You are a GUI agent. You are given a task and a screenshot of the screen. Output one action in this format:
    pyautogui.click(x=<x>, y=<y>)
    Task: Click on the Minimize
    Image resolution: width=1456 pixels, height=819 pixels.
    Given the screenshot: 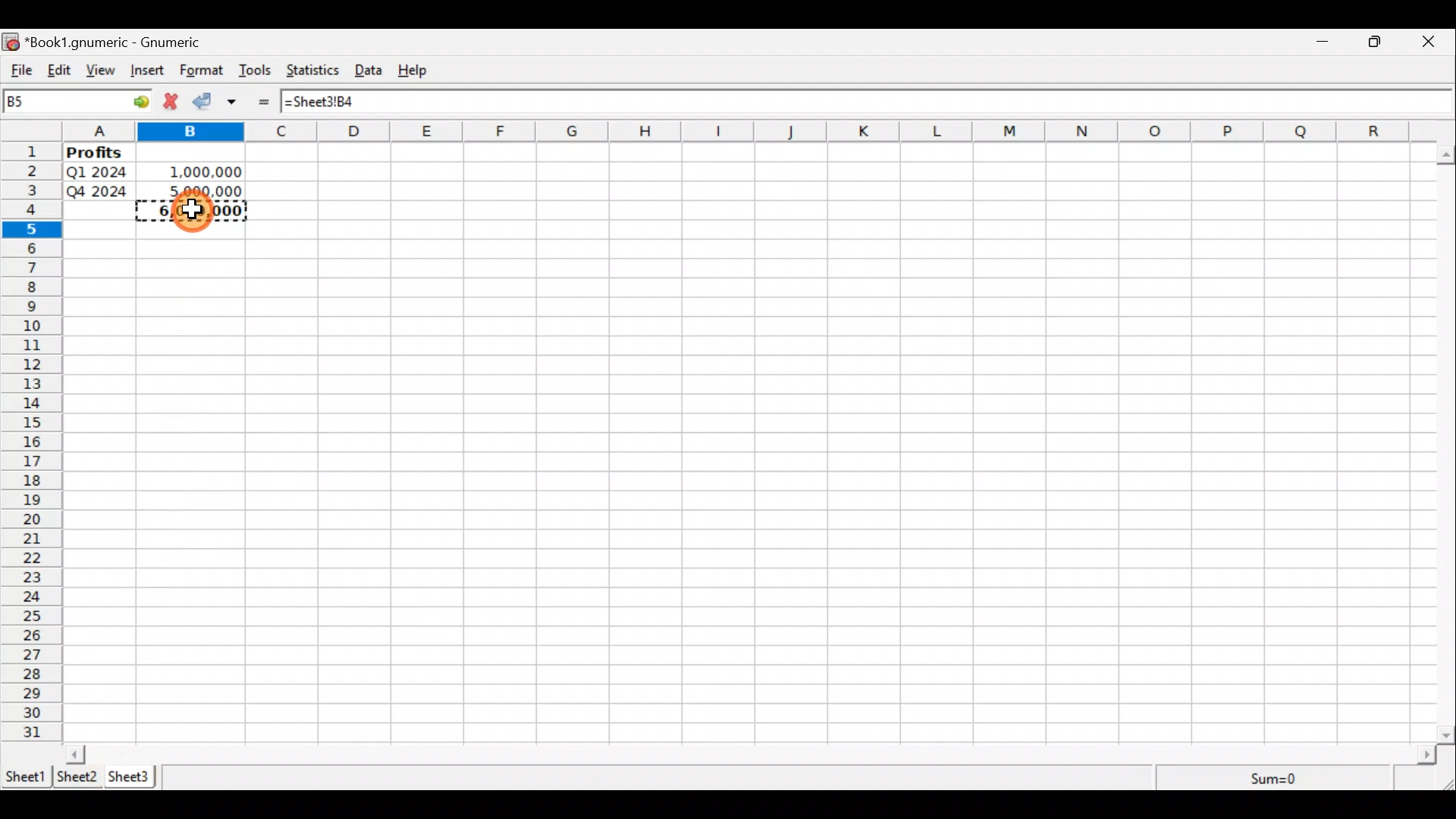 What is the action you would take?
    pyautogui.click(x=1323, y=43)
    